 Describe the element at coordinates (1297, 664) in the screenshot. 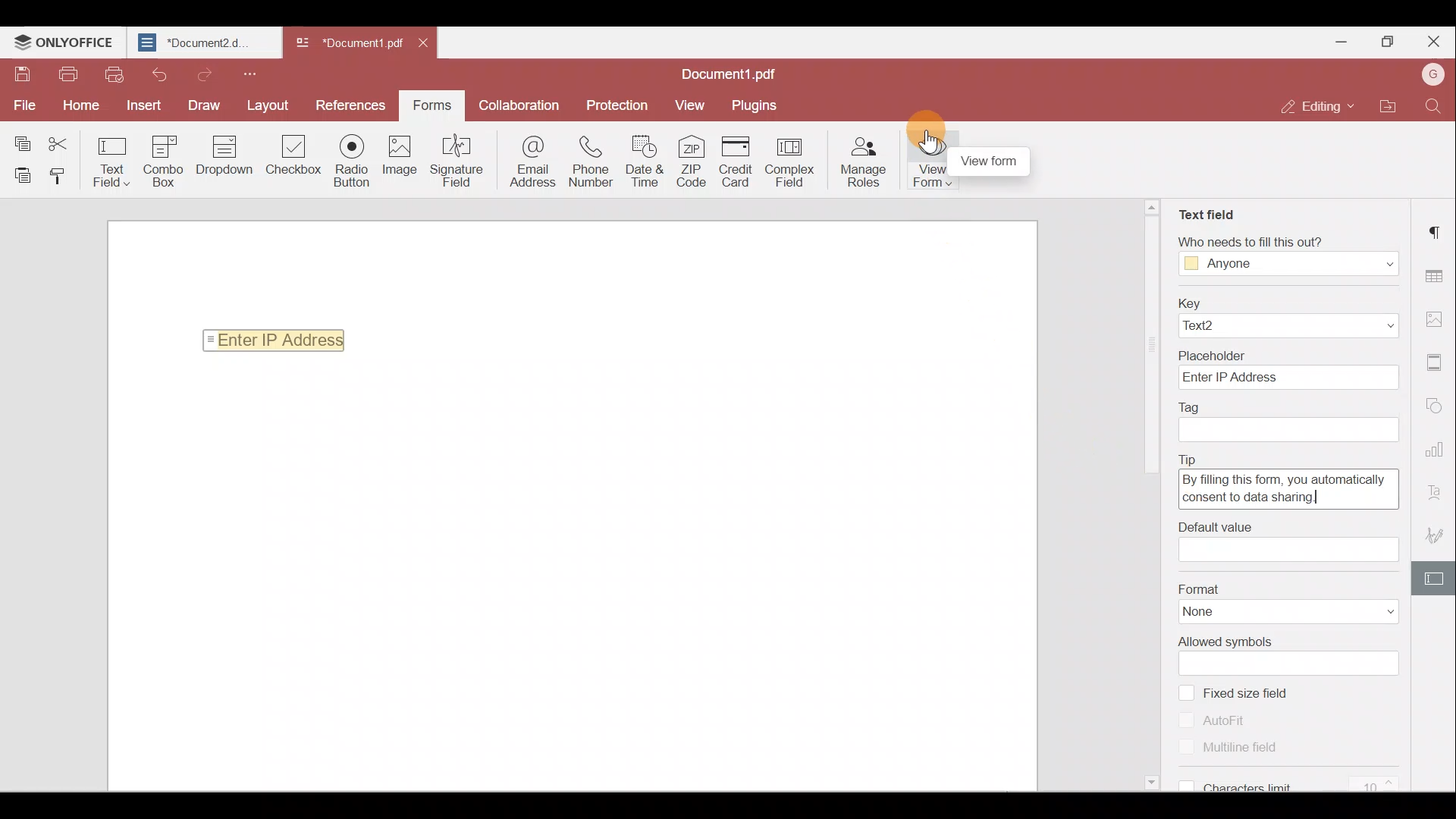

I see `Allowed symbols field` at that location.